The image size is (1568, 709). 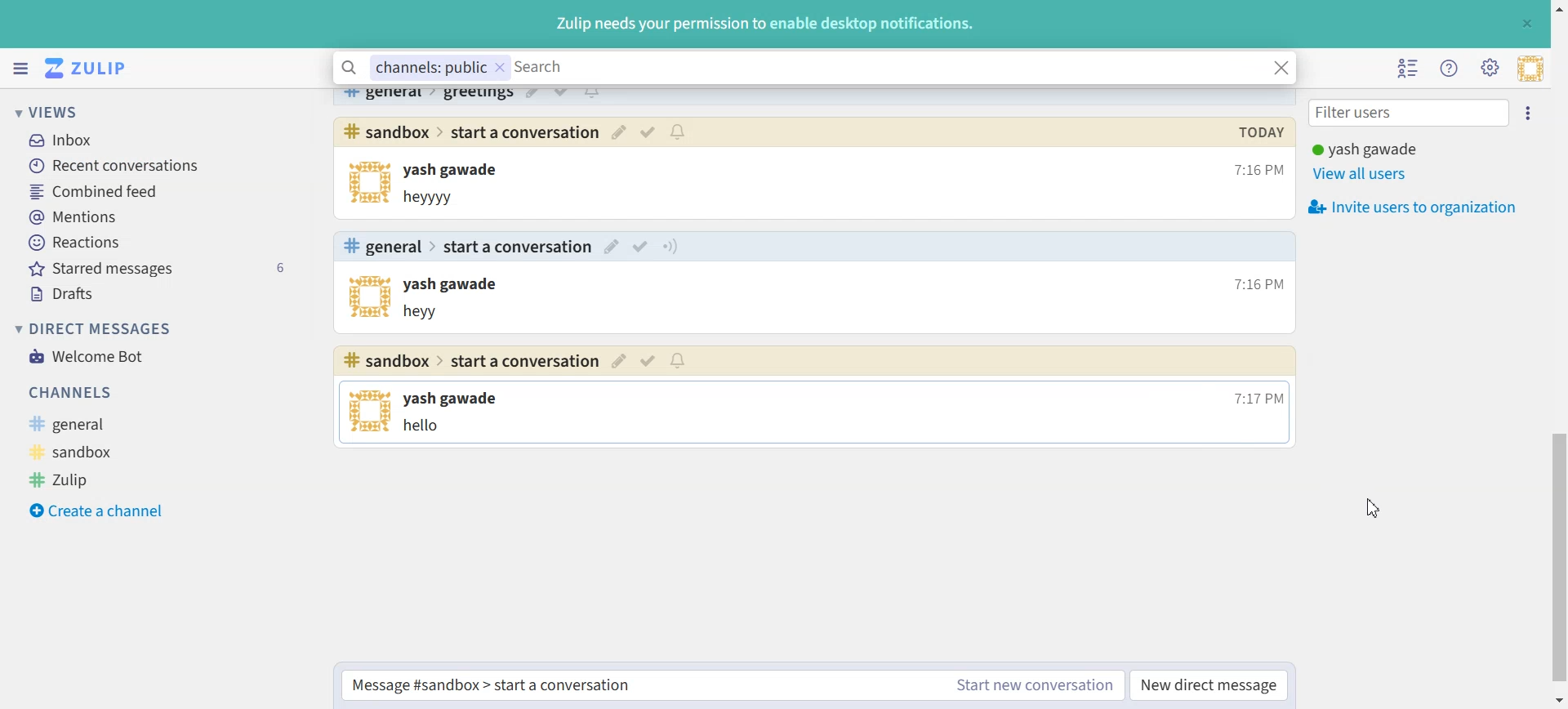 I want to click on notifications, so click(x=678, y=361).